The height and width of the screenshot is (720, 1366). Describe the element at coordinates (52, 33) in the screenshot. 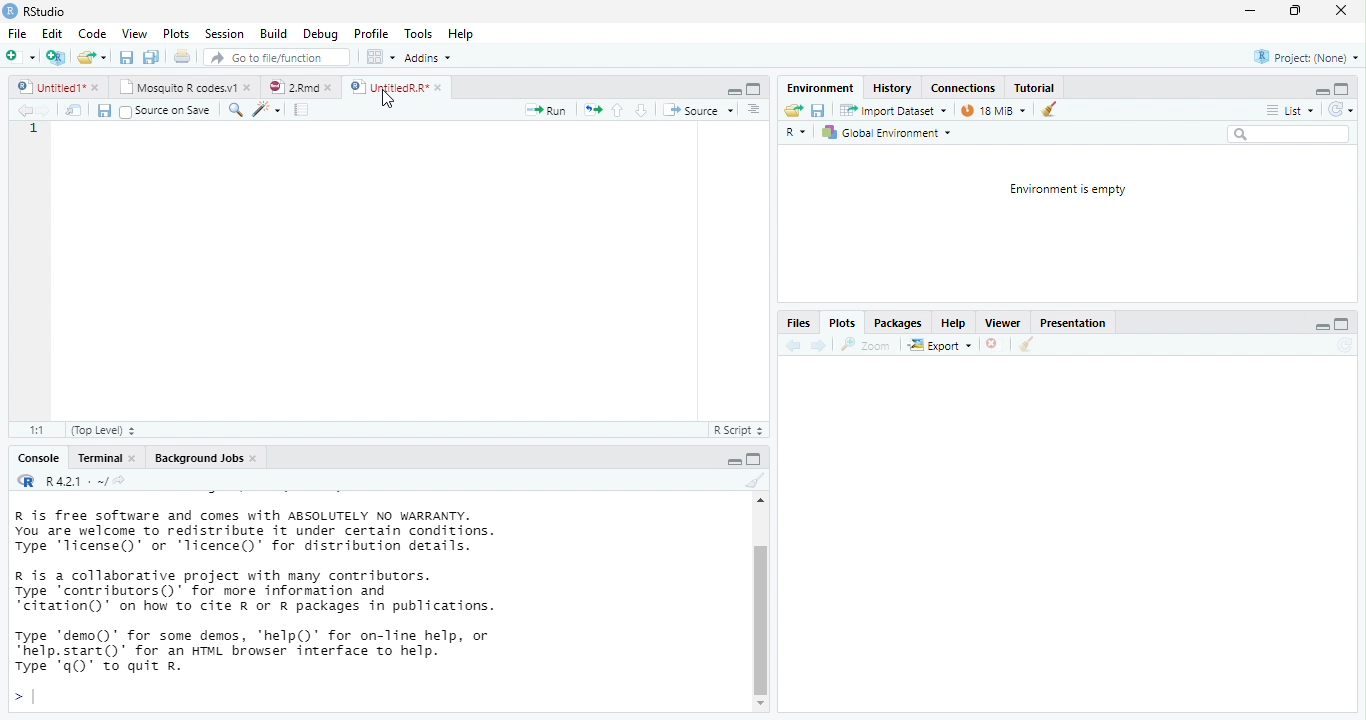

I see `Edit` at that location.